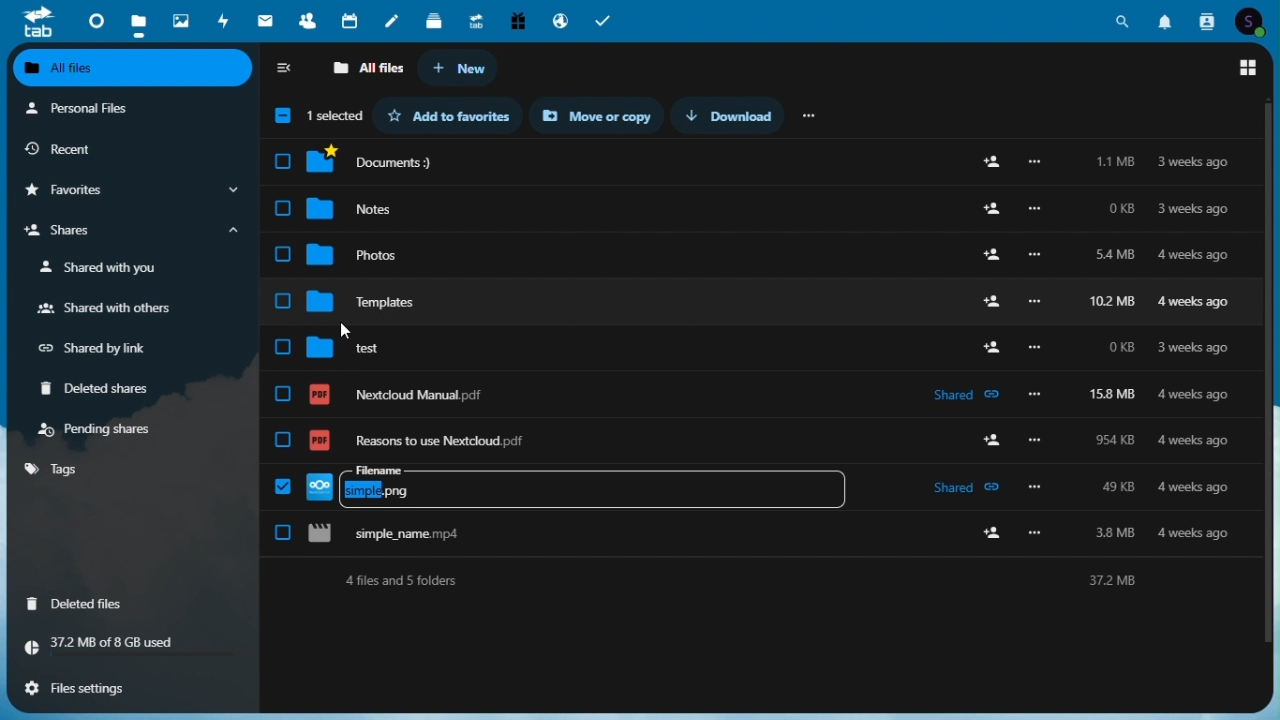 The height and width of the screenshot is (720, 1280). Describe the element at coordinates (91, 19) in the screenshot. I see `dashboard` at that location.